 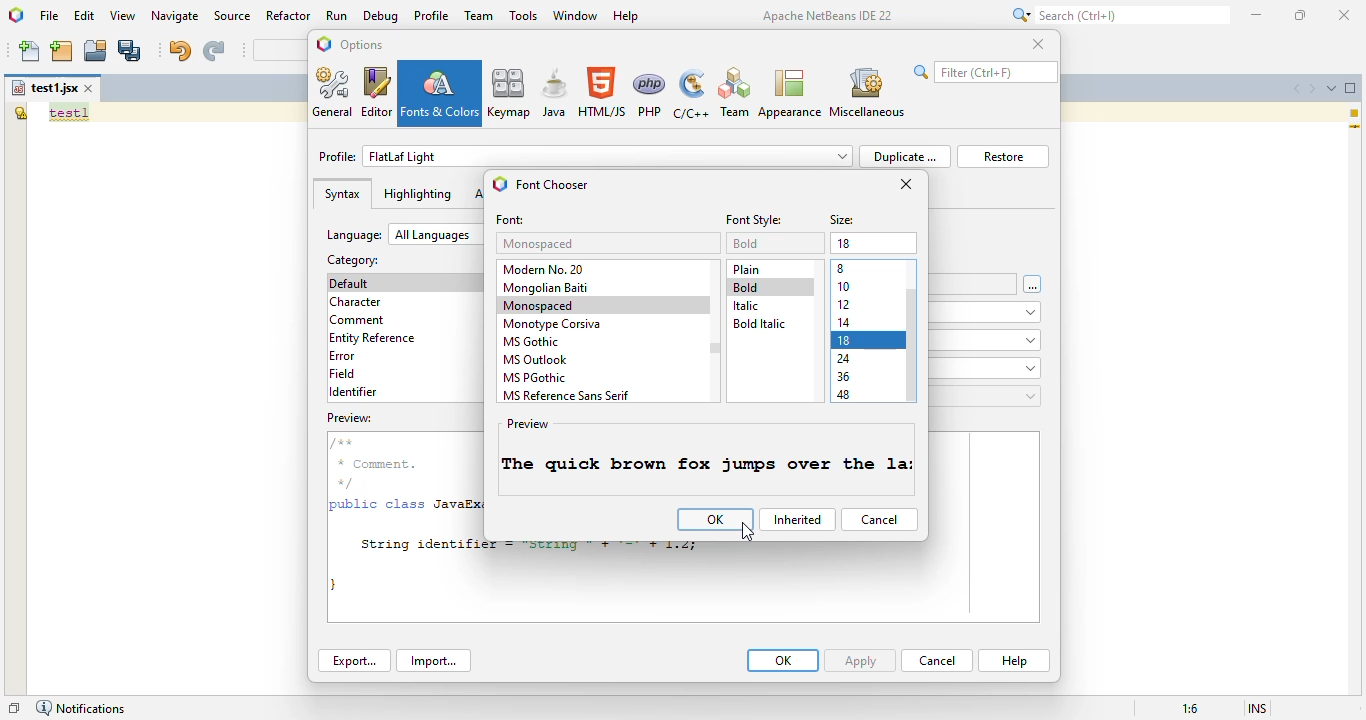 I want to click on /**, so click(x=344, y=443).